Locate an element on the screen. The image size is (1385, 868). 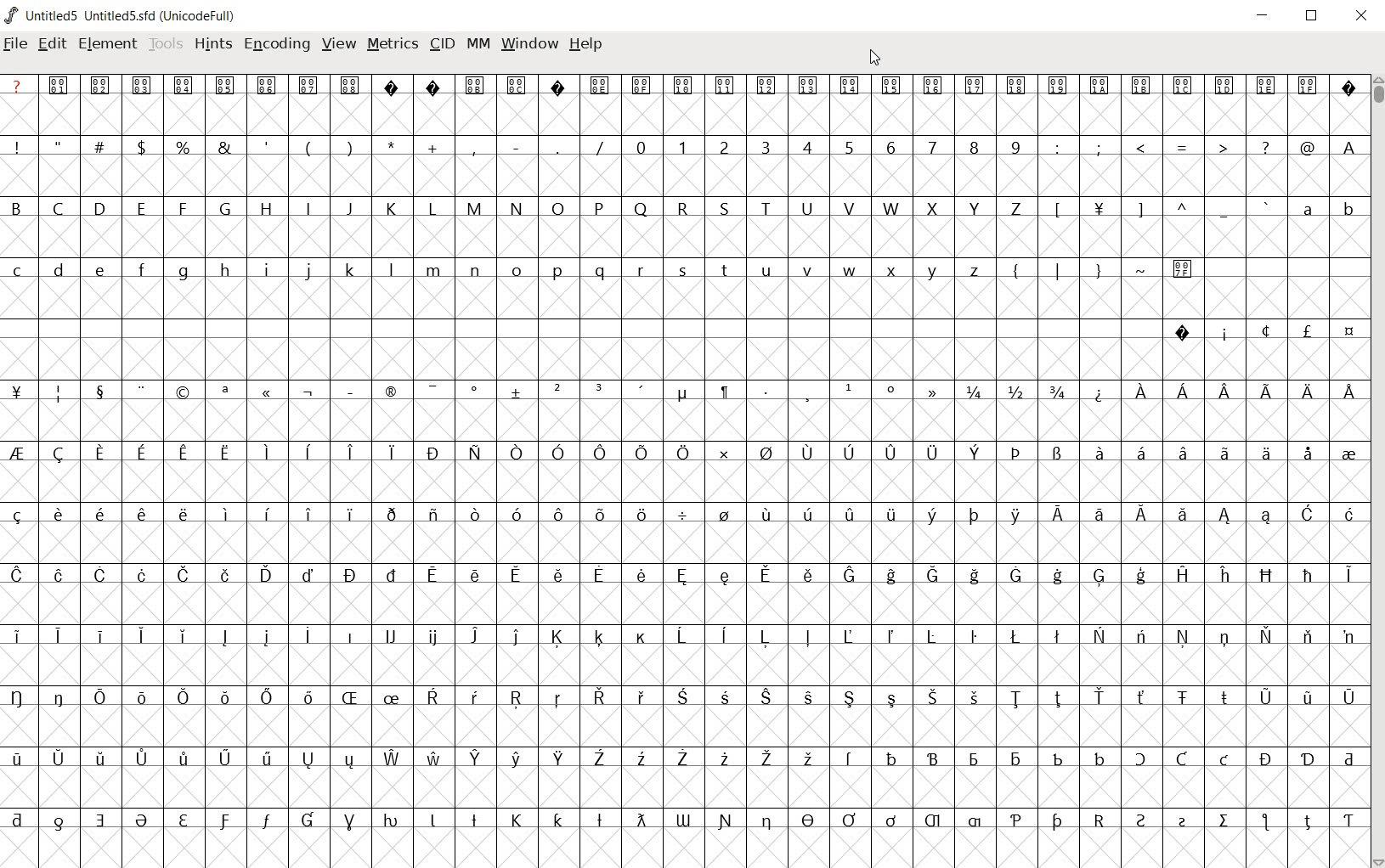
Symbol is located at coordinates (1224, 86).